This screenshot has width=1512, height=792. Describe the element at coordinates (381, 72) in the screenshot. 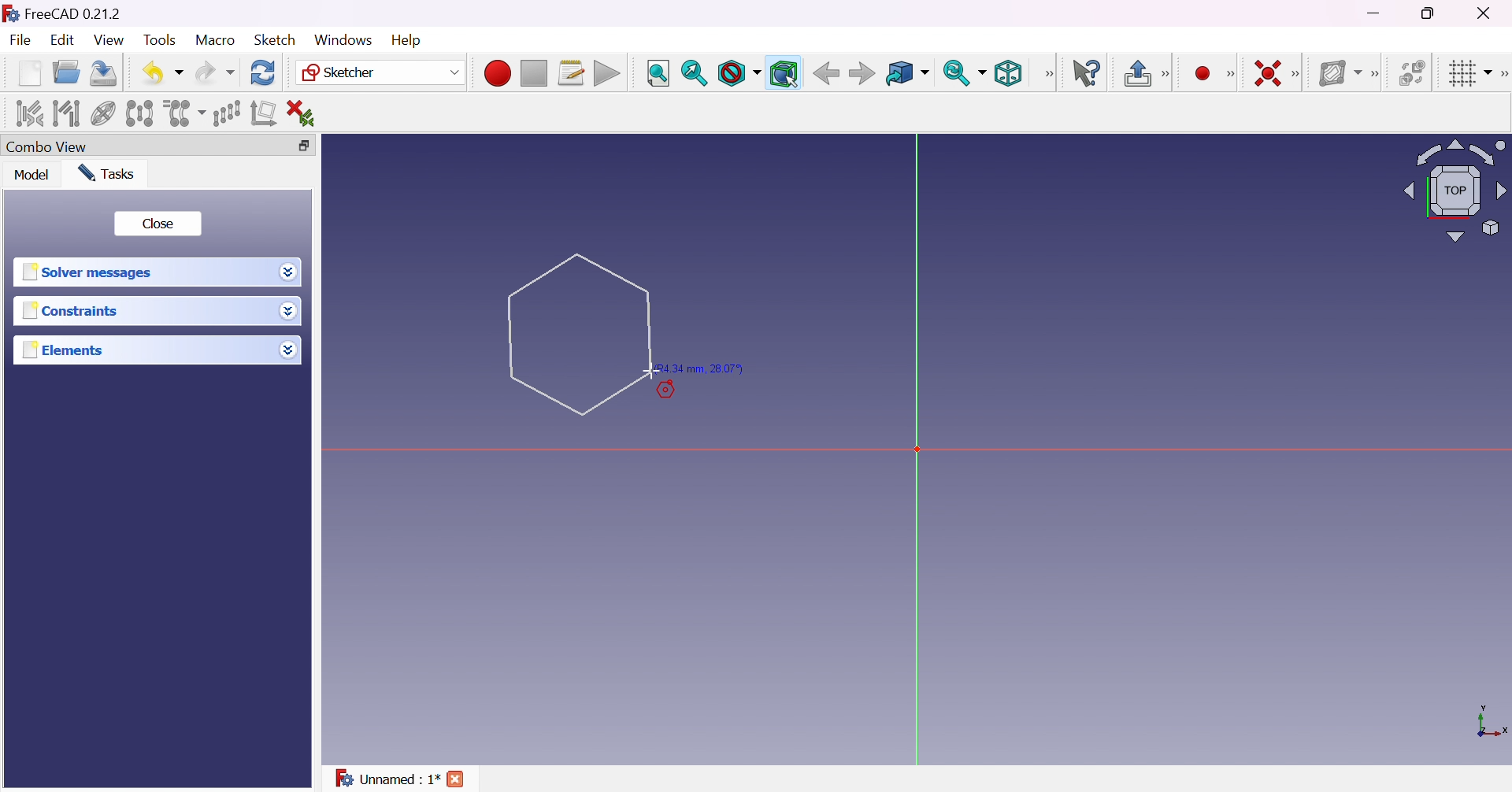

I see `Sketcher` at that location.